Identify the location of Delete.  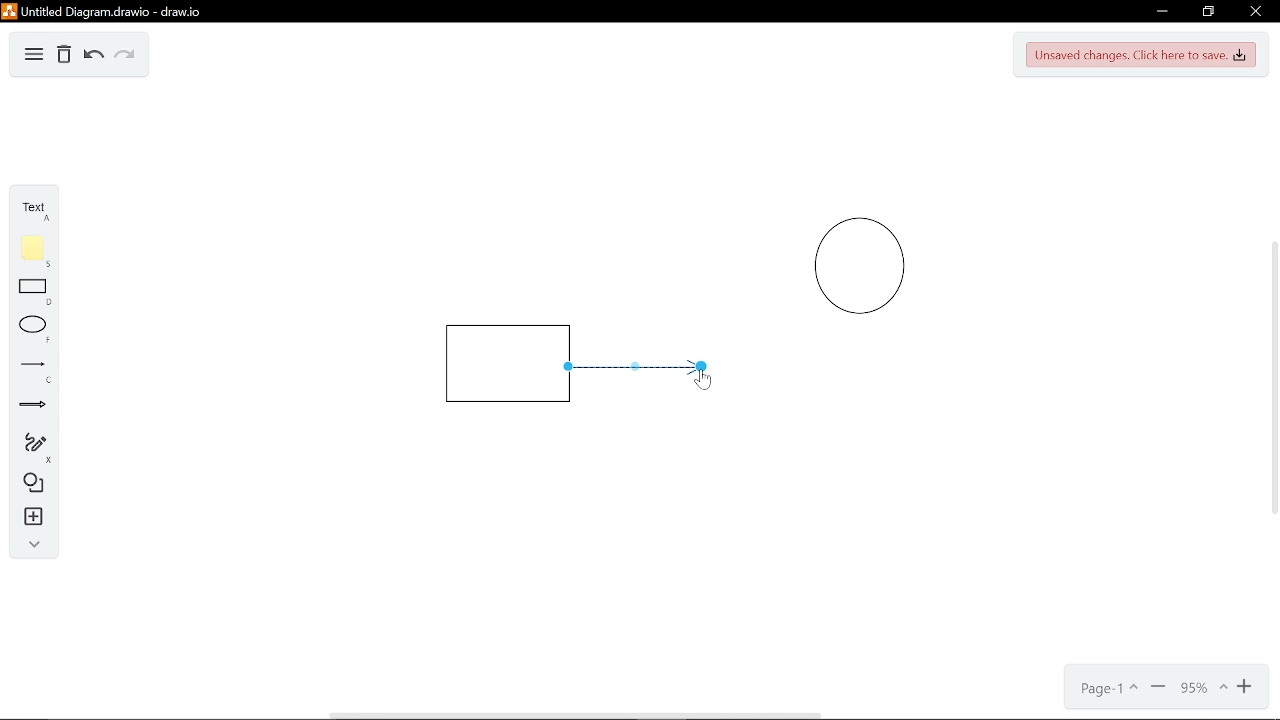
(64, 56).